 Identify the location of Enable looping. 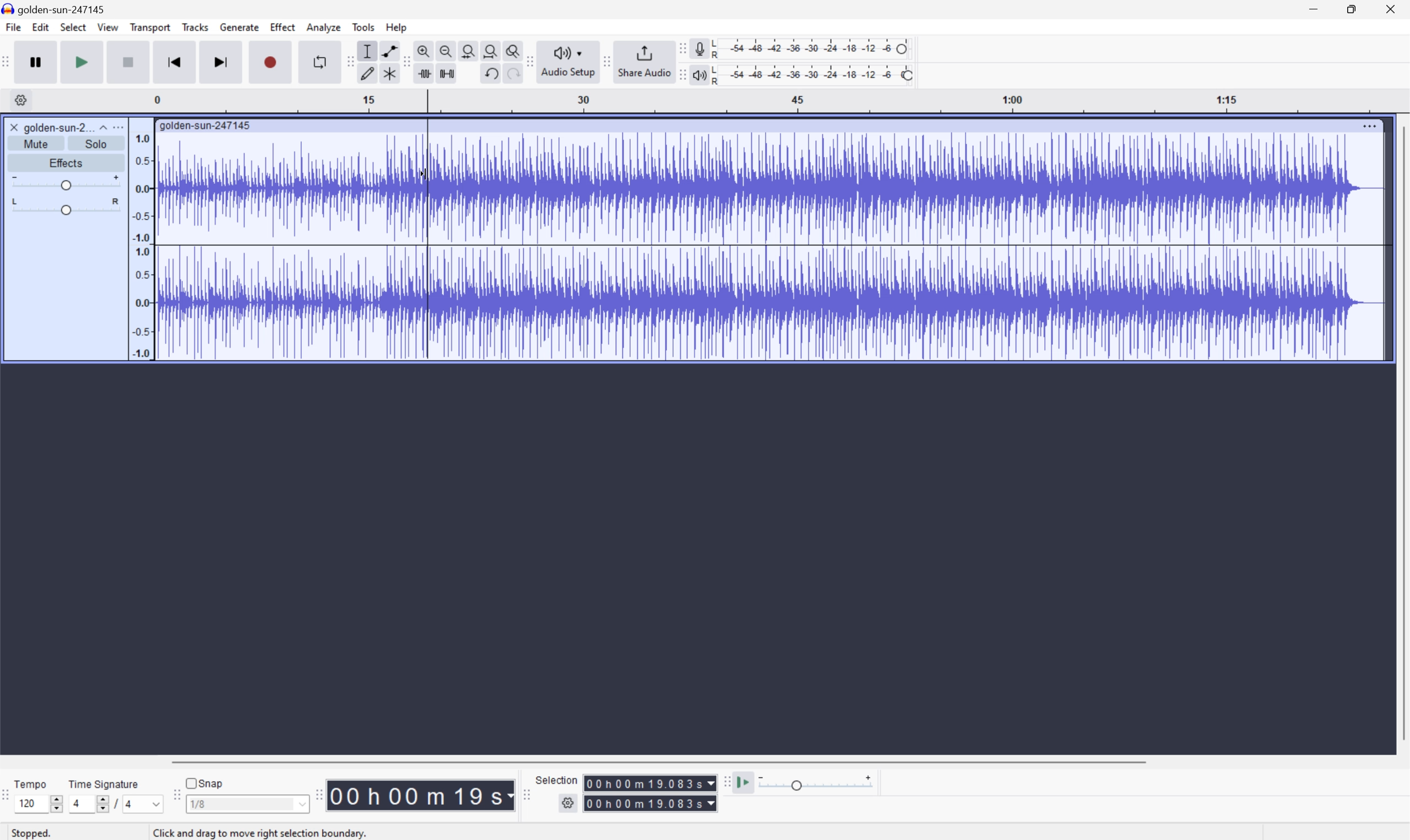
(317, 61).